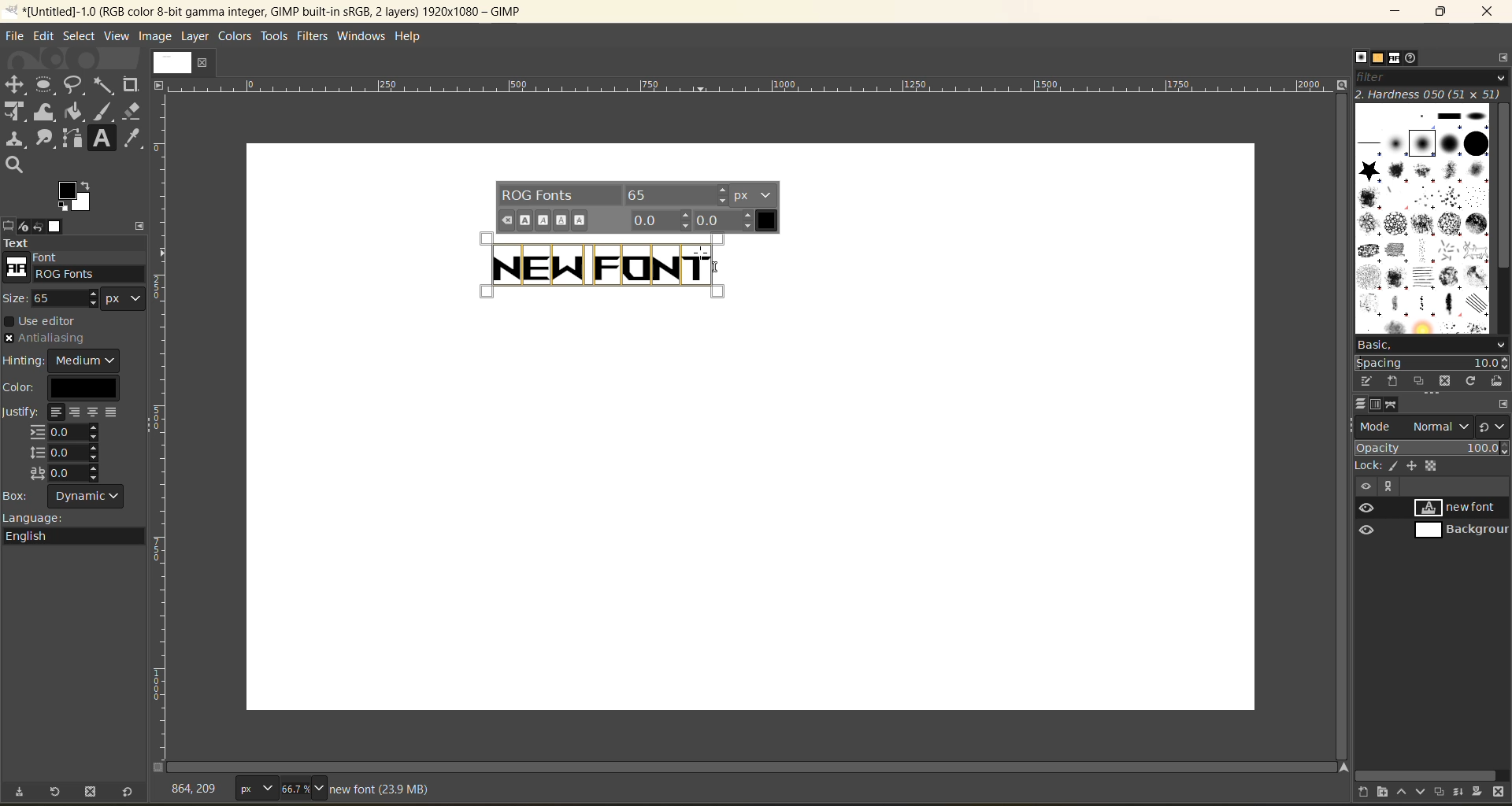 The width and height of the screenshot is (1512, 806). Describe the element at coordinates (1365, 486) in the screenshot. I see `hide` at that location.